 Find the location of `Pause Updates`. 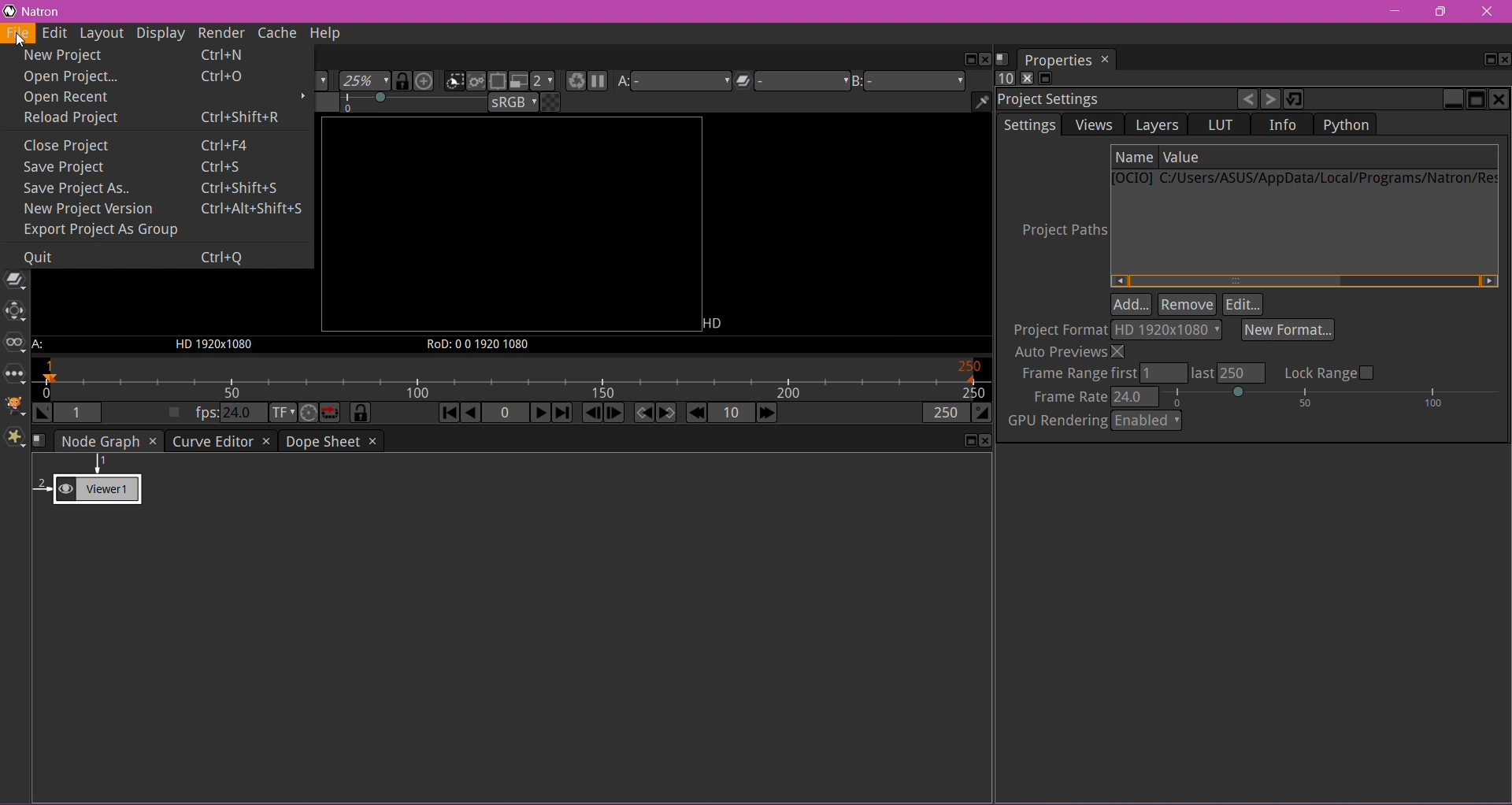

Pause Updates is located at coordinates (597, 81).